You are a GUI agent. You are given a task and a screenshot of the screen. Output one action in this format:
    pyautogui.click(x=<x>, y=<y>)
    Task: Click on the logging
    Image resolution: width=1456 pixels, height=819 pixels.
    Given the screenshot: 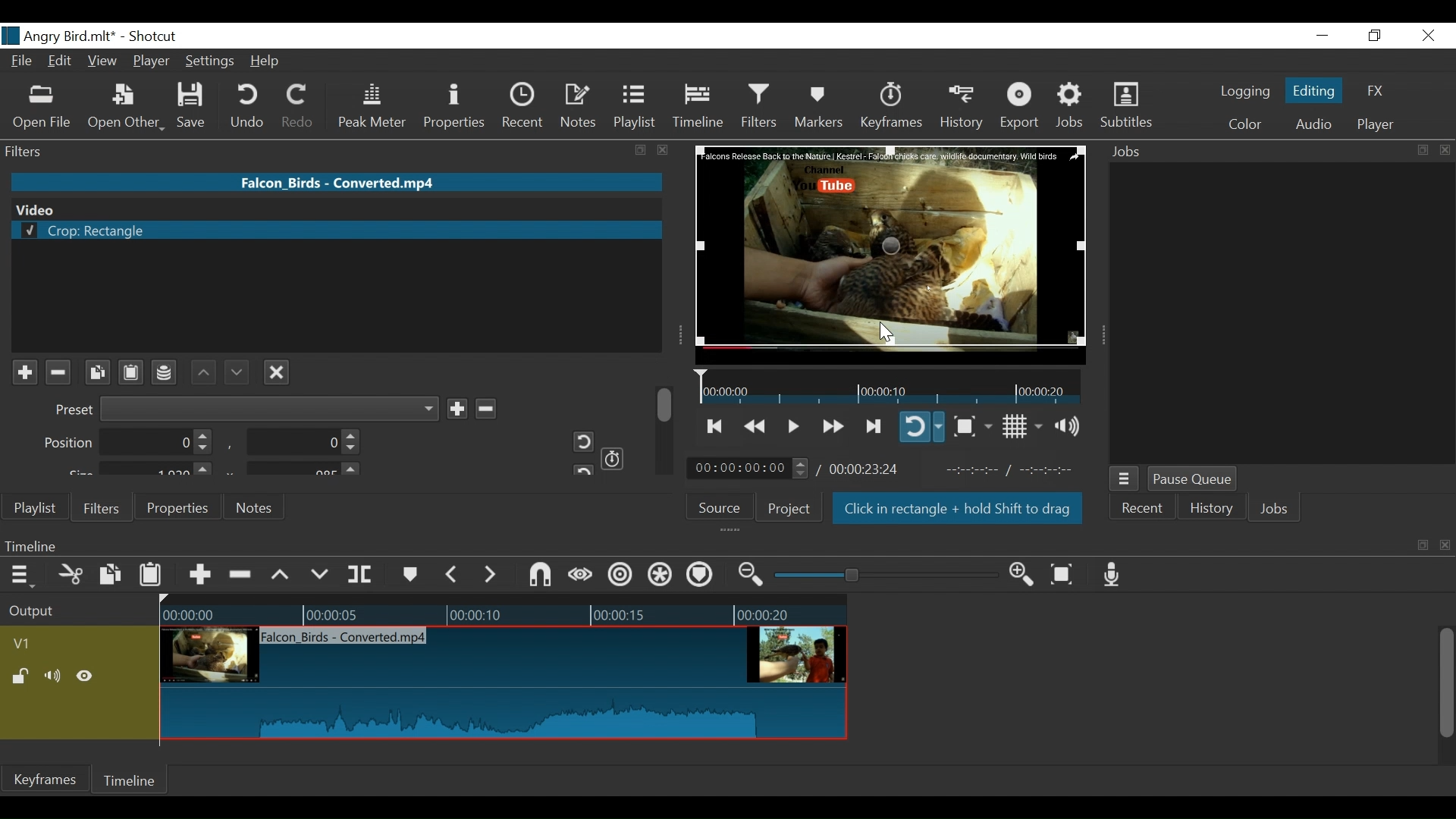 What is the action you would take?
    pyautogui.click(x=1245, y=93)
    